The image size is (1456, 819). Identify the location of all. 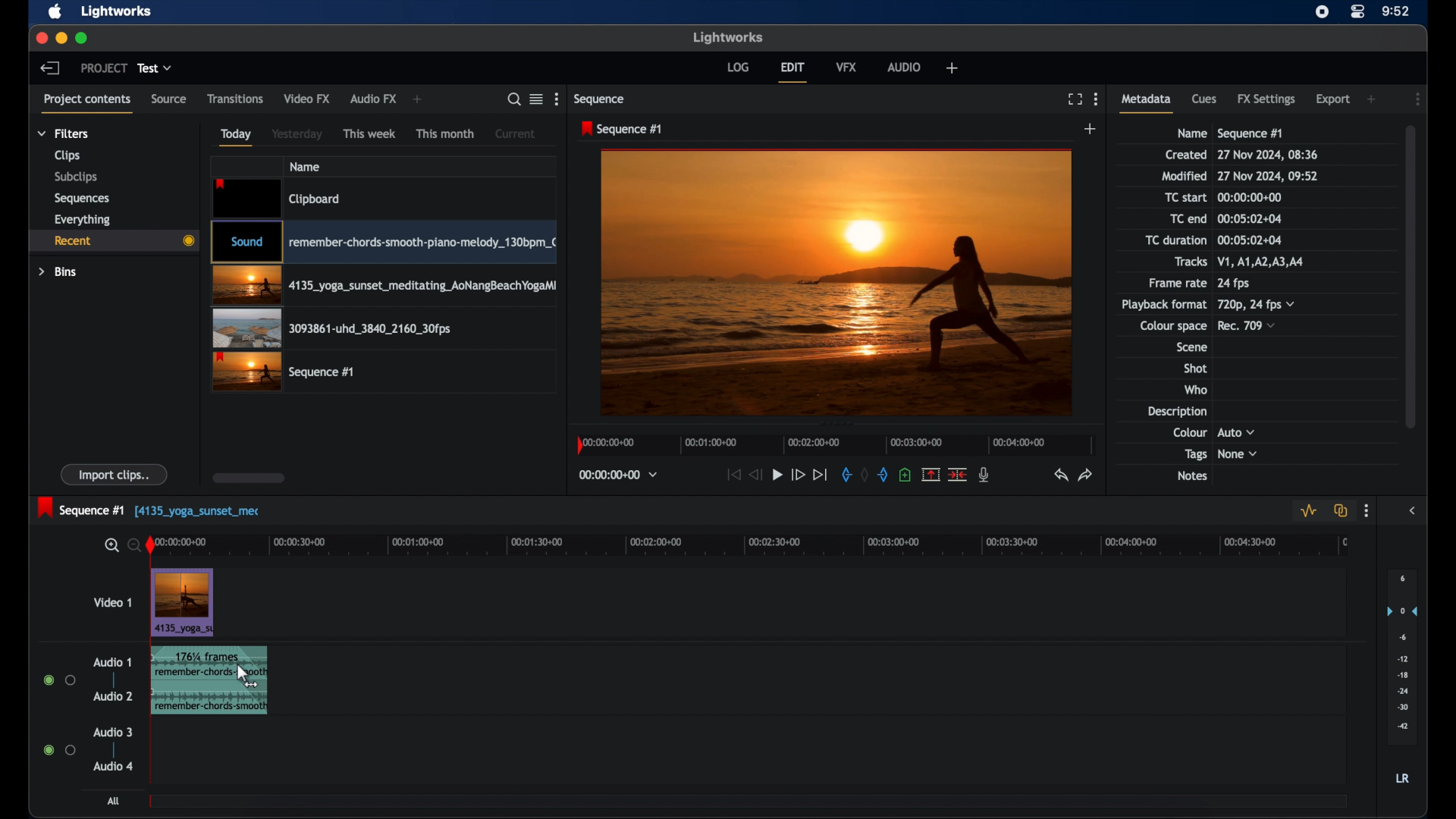
(115, 801).